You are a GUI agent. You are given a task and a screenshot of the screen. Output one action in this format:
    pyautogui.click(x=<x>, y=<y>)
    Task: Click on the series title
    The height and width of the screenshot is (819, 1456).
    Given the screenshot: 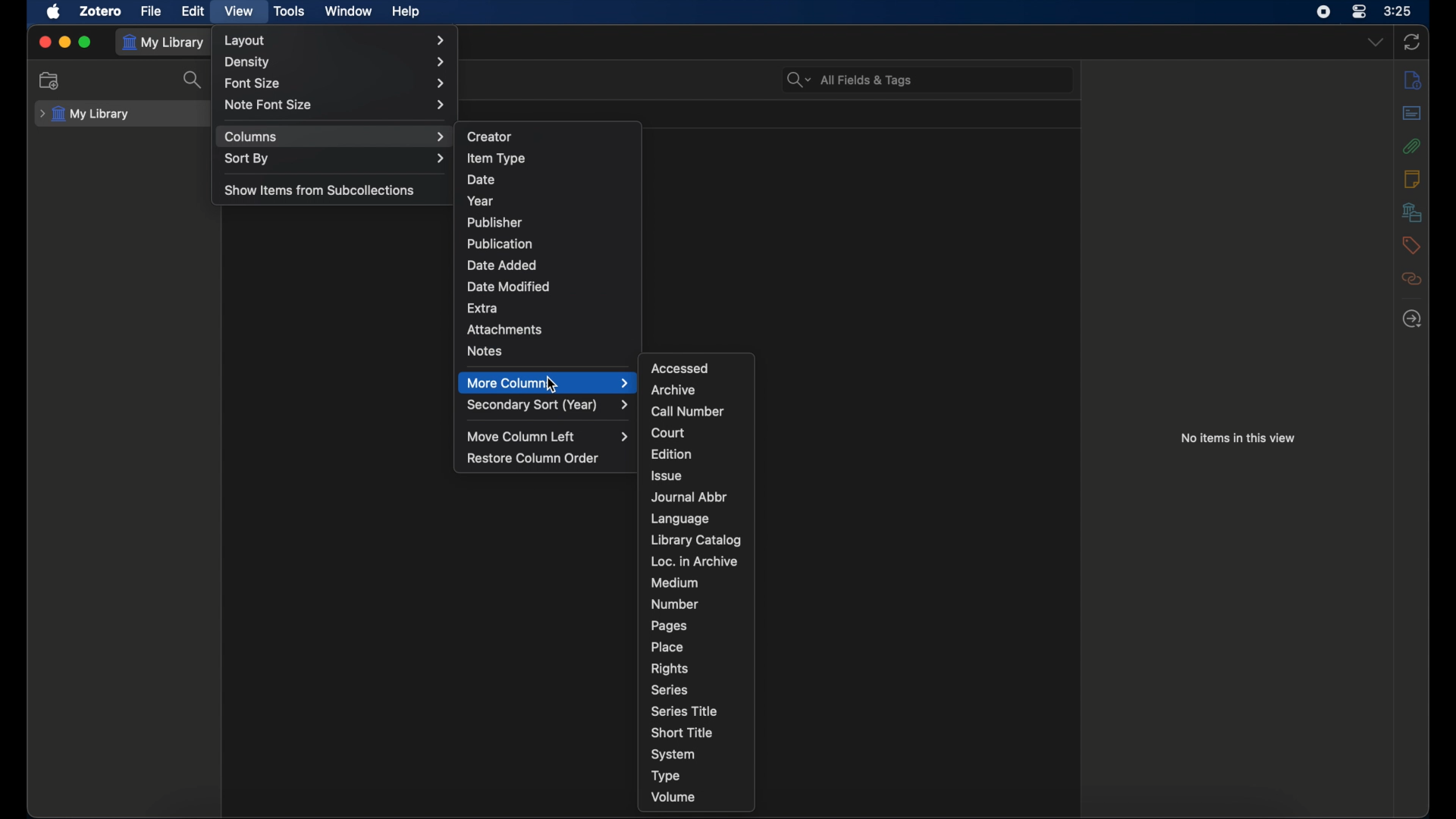 What is the action you would take?
    pyautogui.click(x=684, y=711)
    